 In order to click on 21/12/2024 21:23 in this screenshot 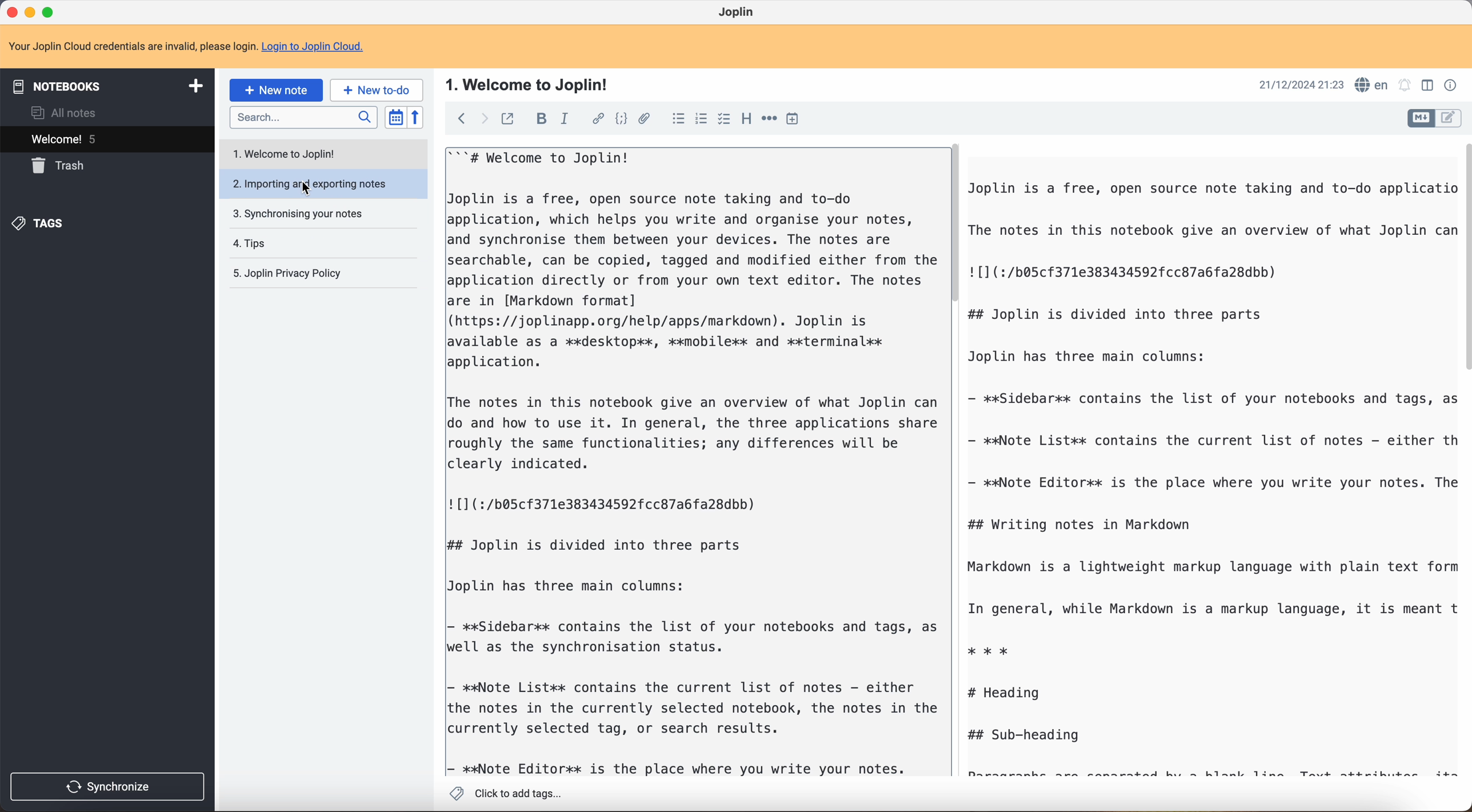, I will do `click(1295, 84)`.